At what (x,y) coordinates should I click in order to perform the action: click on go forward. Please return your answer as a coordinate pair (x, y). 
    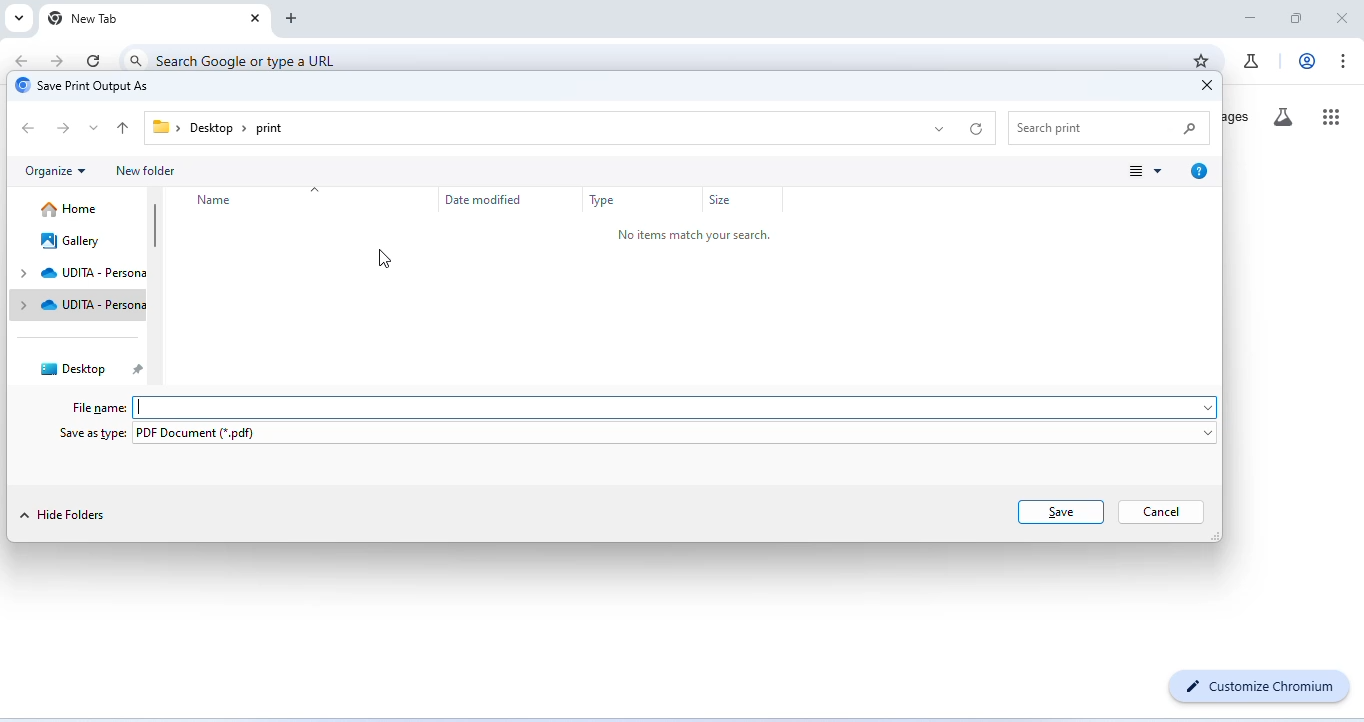
    Looking at the image, I should click on (59, 59).